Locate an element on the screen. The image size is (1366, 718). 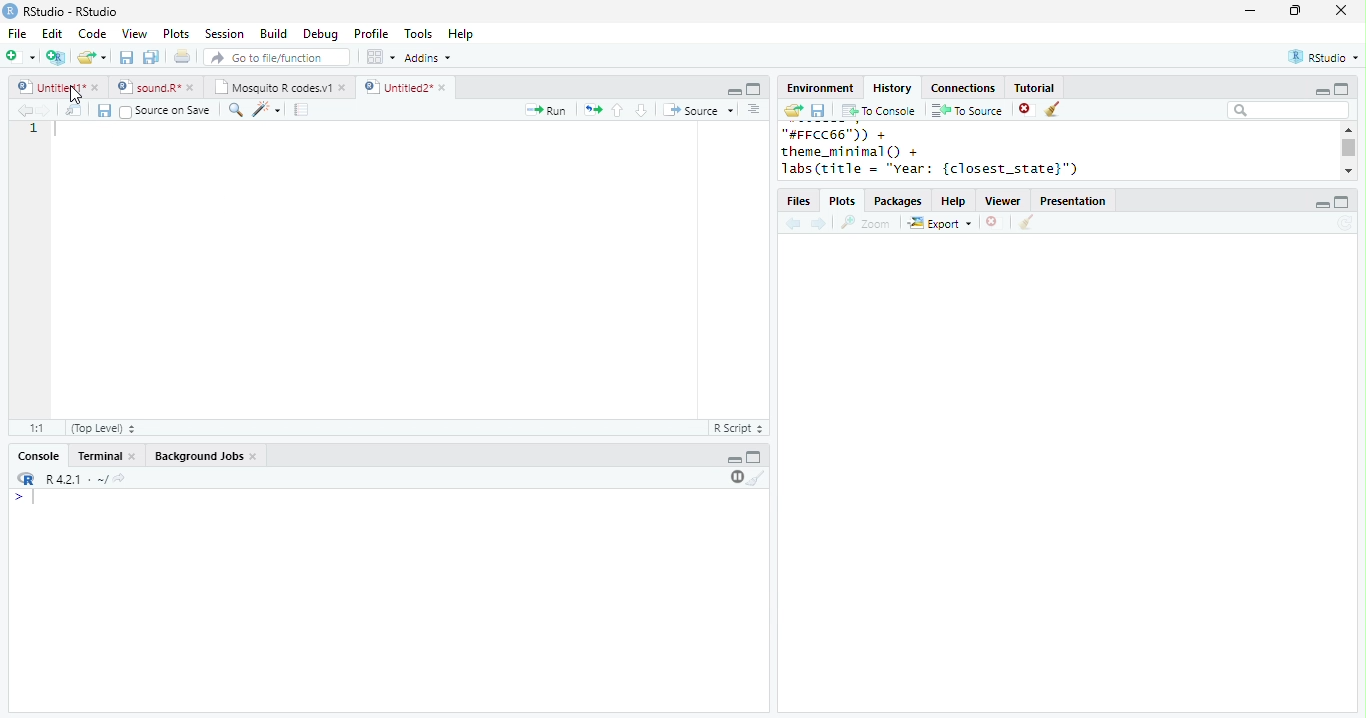
scroll up is located at coordinates (1347, 129).